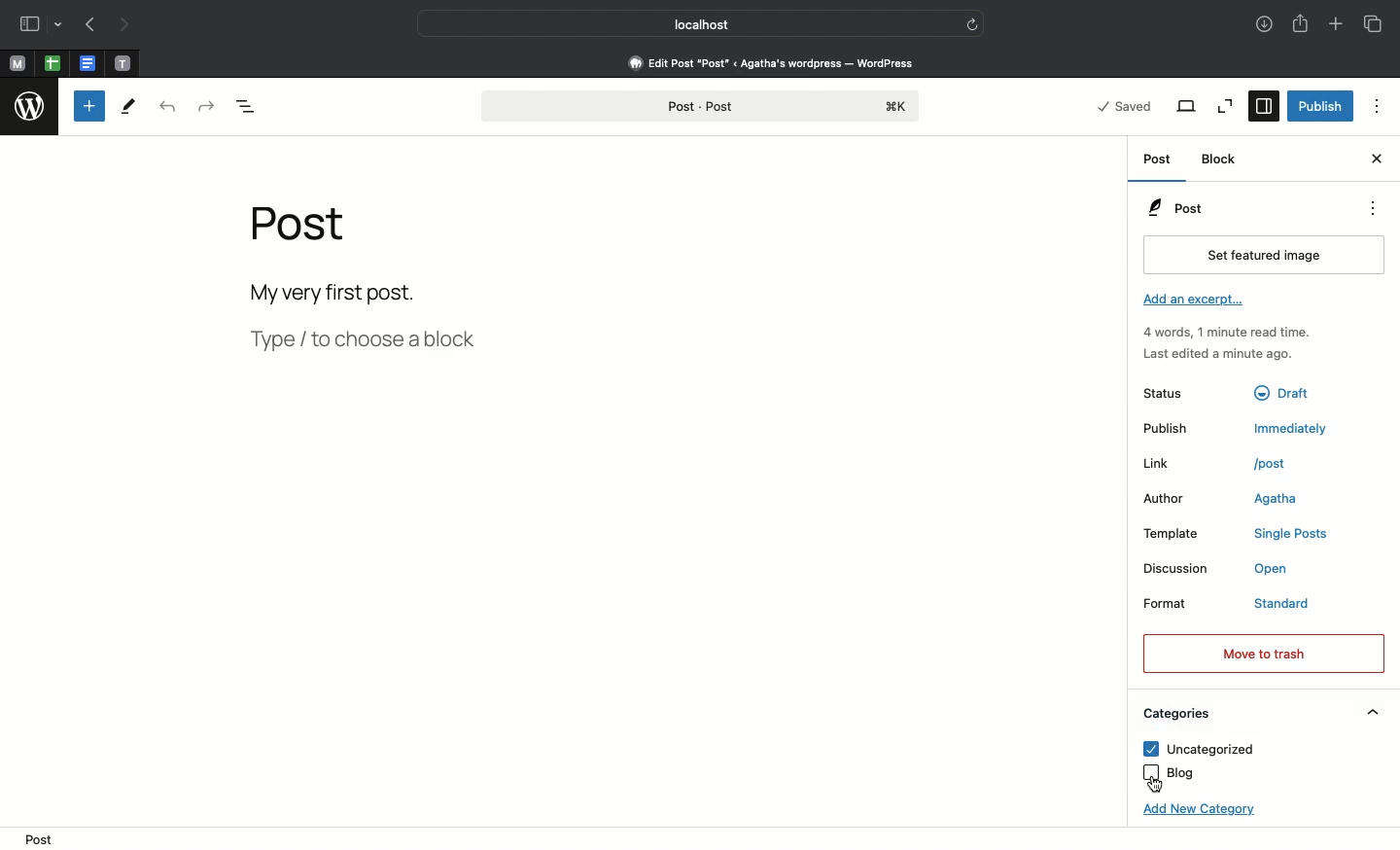  Describe the element at coordinates (89, 106) in the screenshot. I see `Toggle block inserter` at that location.